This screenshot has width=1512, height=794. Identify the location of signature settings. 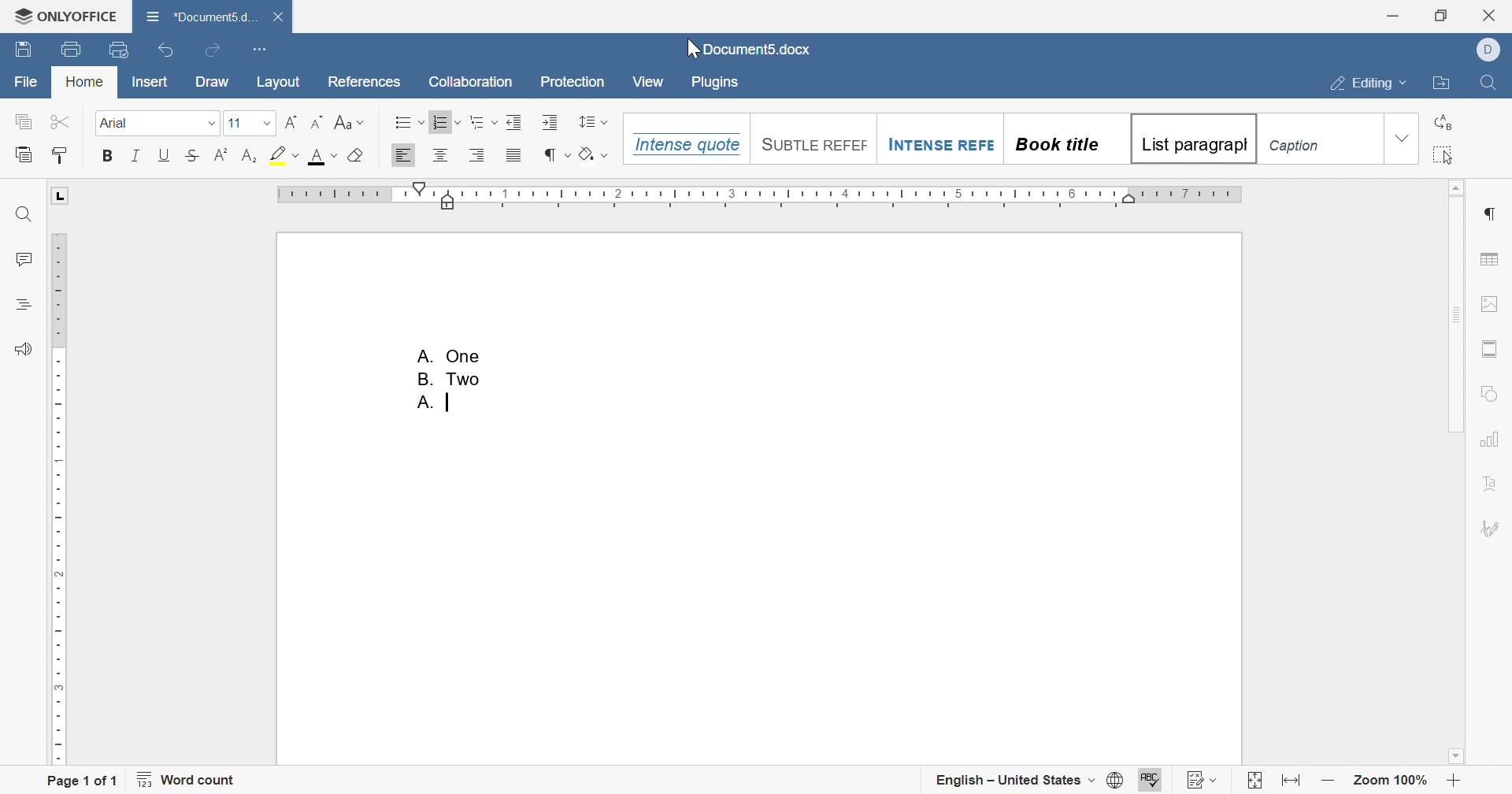
(1492, 528).